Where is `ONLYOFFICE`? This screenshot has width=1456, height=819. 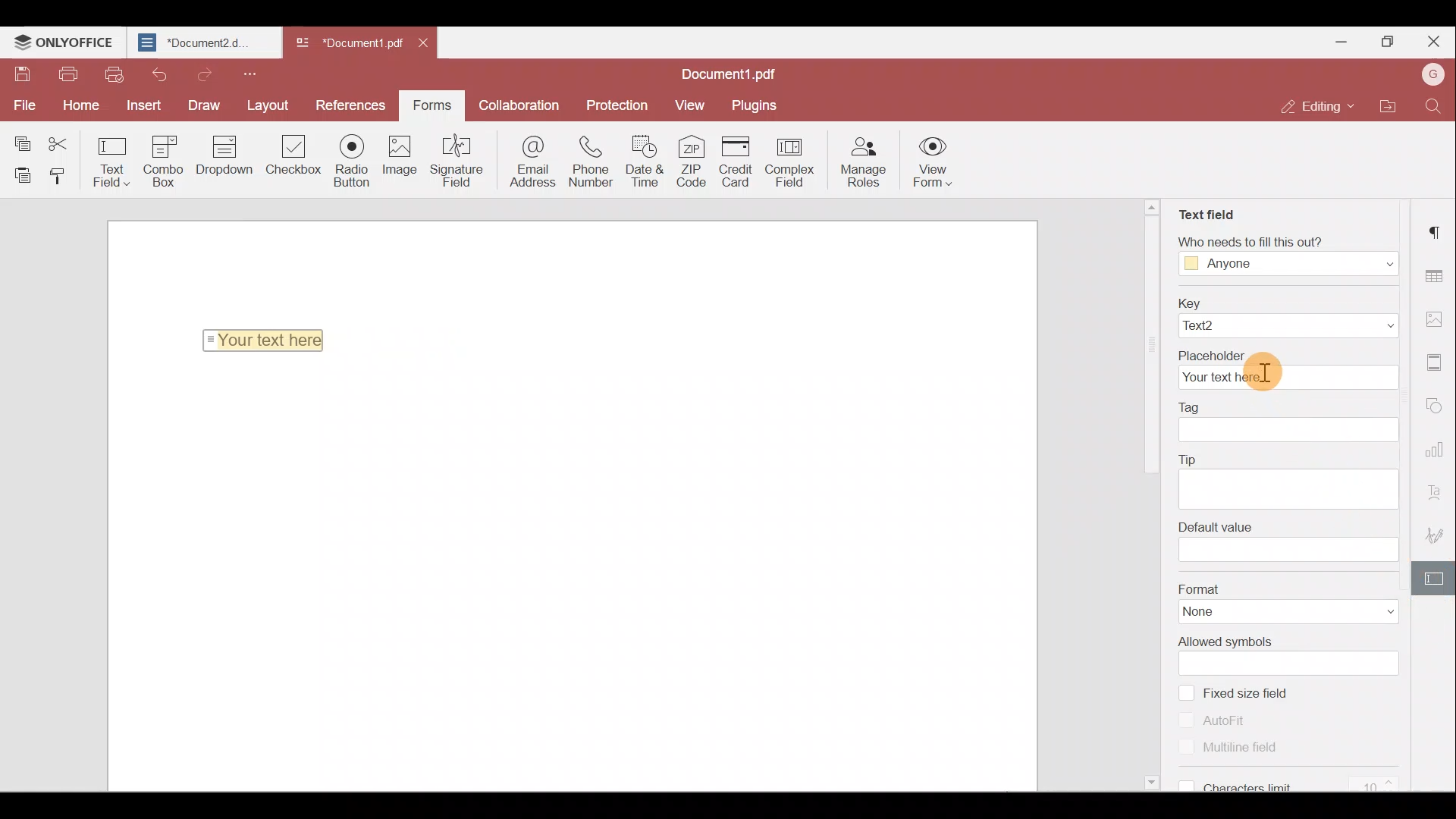
ONLYOFFICE is located at coordinates (64, 42).